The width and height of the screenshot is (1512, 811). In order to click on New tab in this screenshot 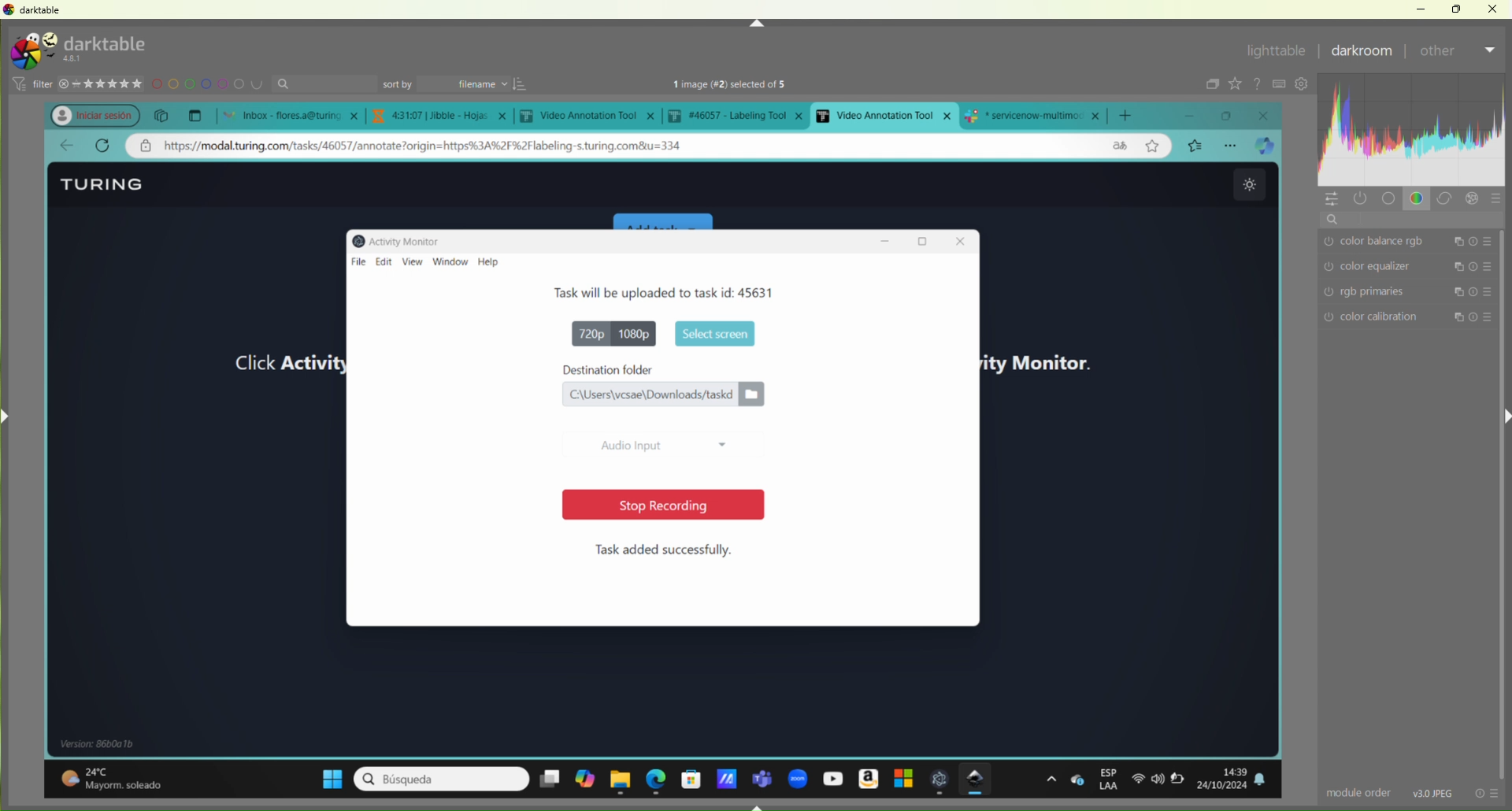, I will do `click(195, 114)`.